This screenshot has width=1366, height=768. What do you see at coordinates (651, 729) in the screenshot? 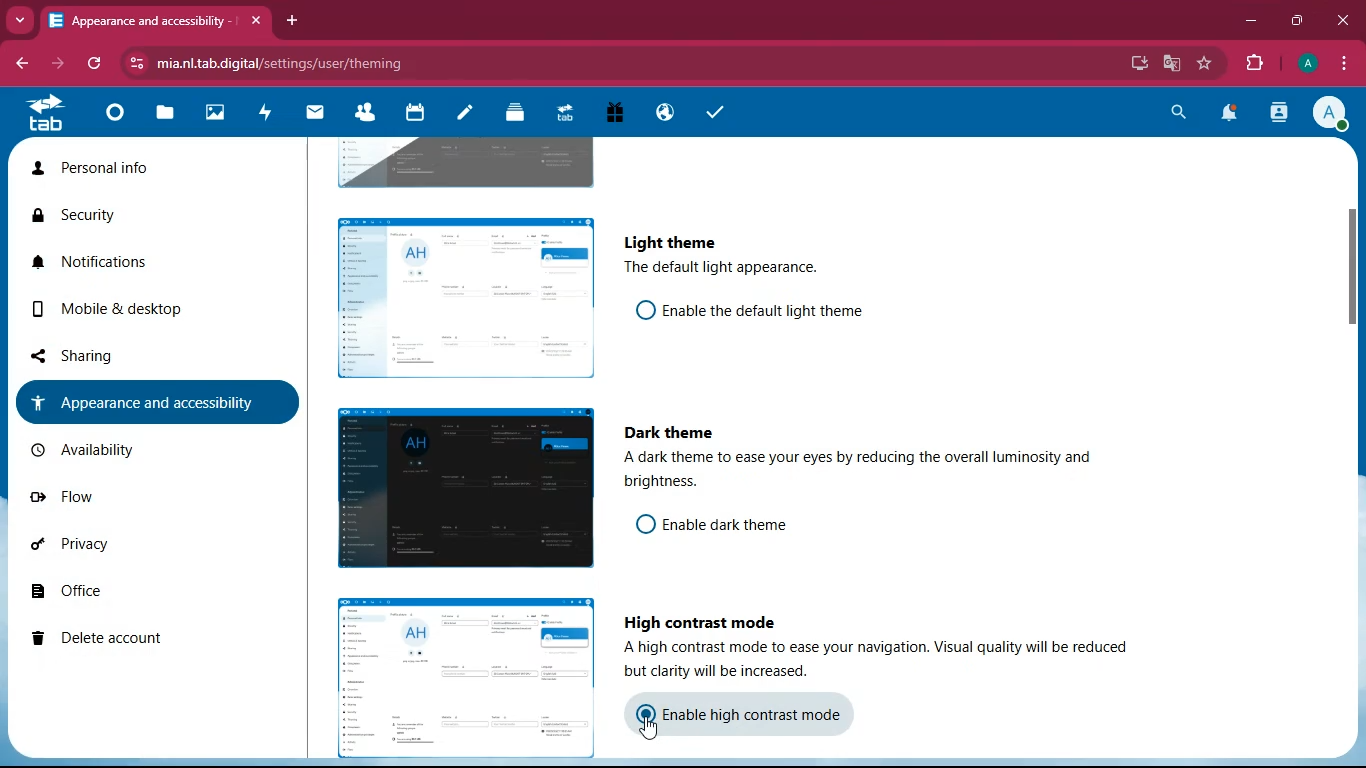
I see `on` at bounding box center [651, 729].